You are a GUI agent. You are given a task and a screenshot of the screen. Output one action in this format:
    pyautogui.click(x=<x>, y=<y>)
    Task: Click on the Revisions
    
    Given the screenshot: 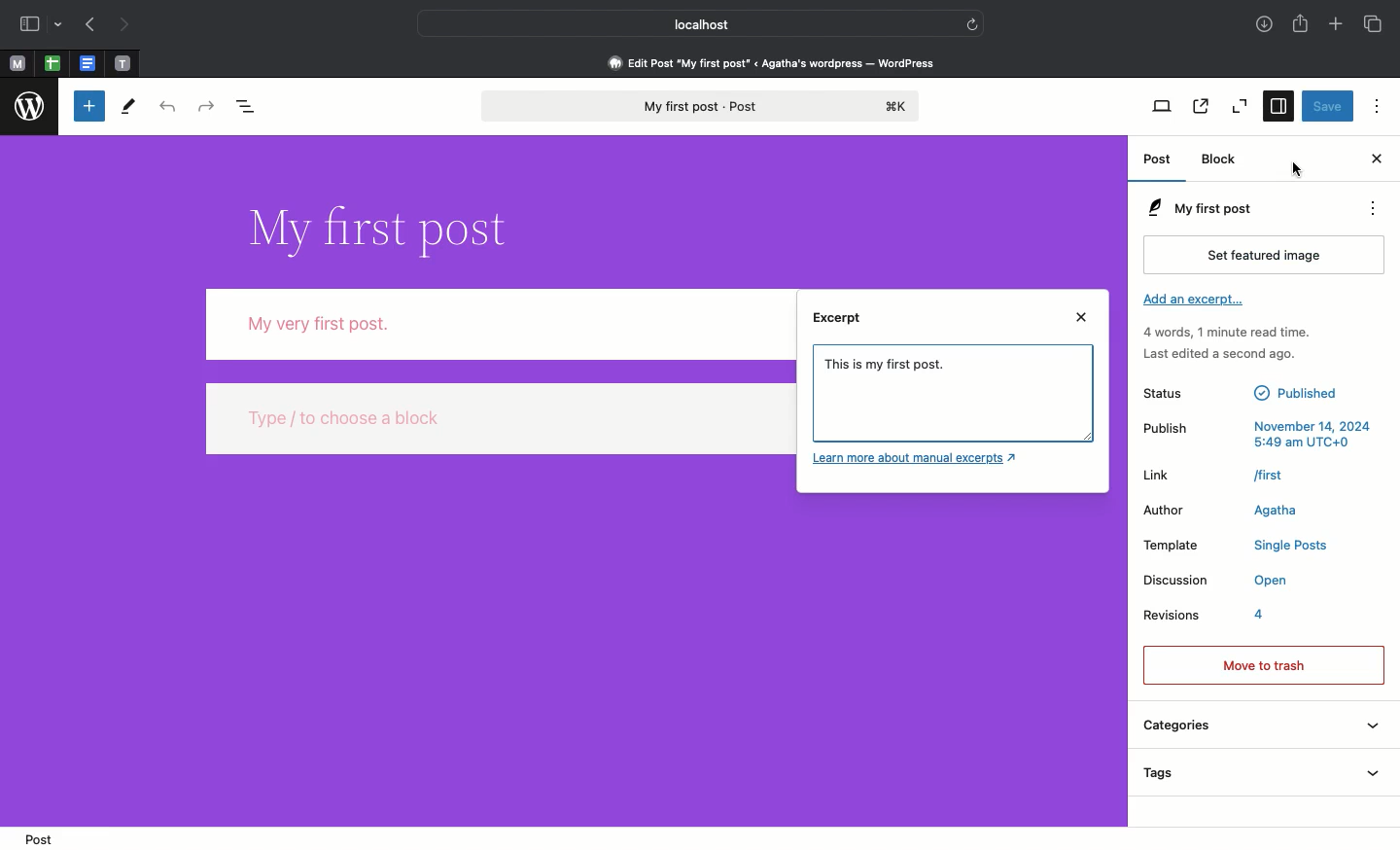 What is the action you would take?
    pyautogui.click(x=1207, y=619)
    